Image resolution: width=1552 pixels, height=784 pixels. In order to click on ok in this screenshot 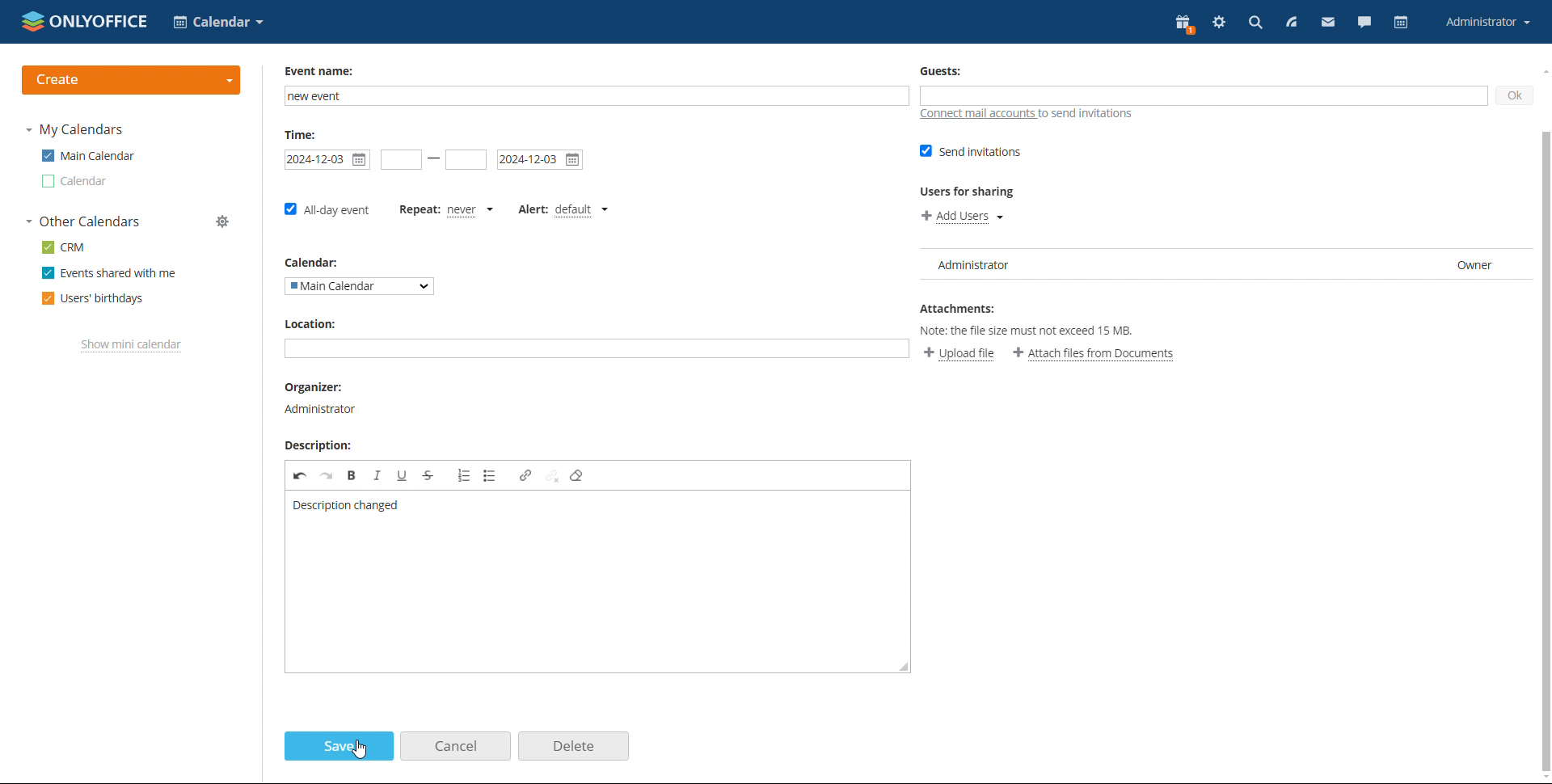, I will do `click(1518, 94)`.